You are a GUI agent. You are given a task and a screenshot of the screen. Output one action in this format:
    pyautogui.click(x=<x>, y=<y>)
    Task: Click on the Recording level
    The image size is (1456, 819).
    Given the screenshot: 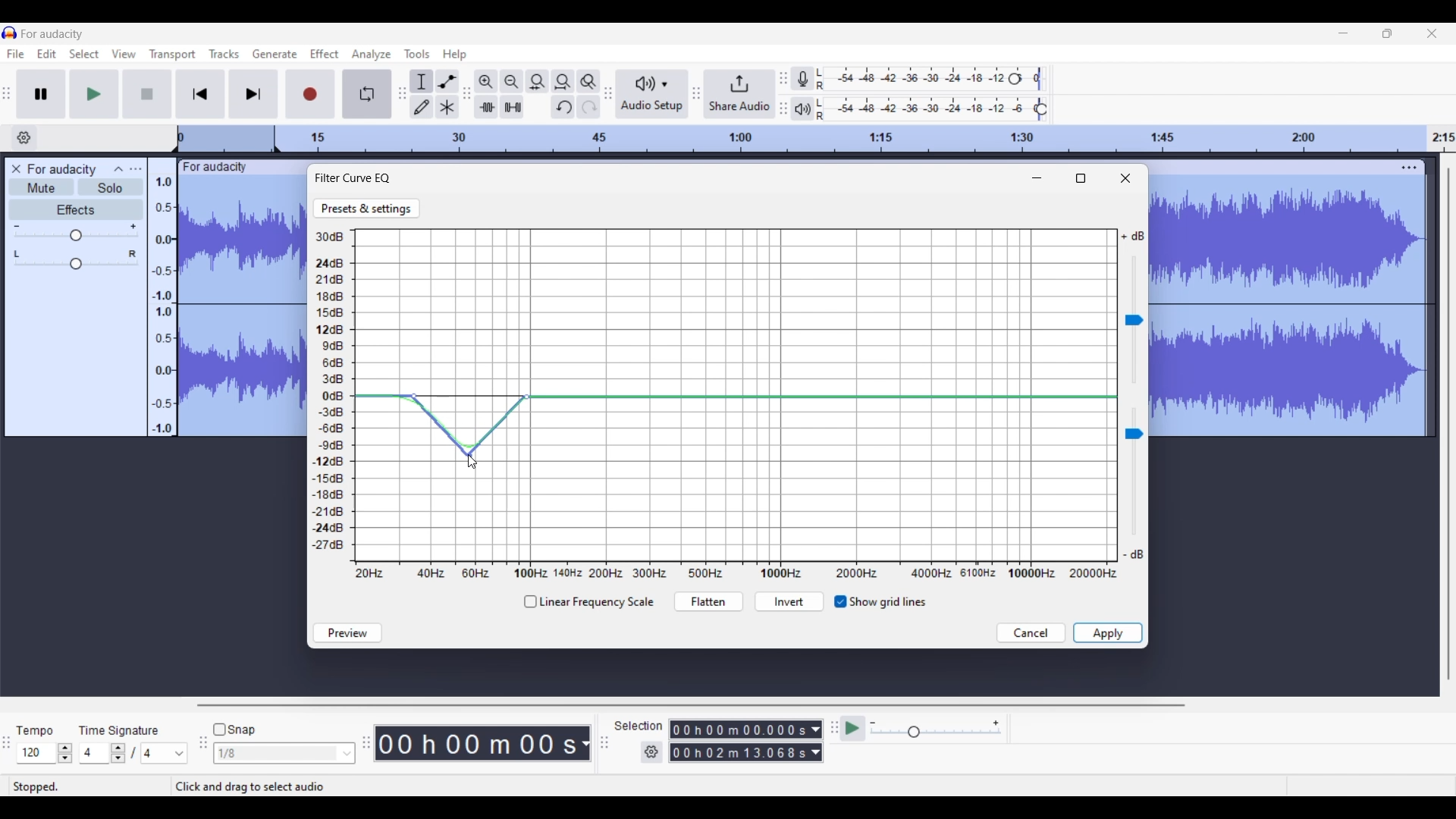 What is the action you would take?
    pyautogui.click(x=915, y=79)
    